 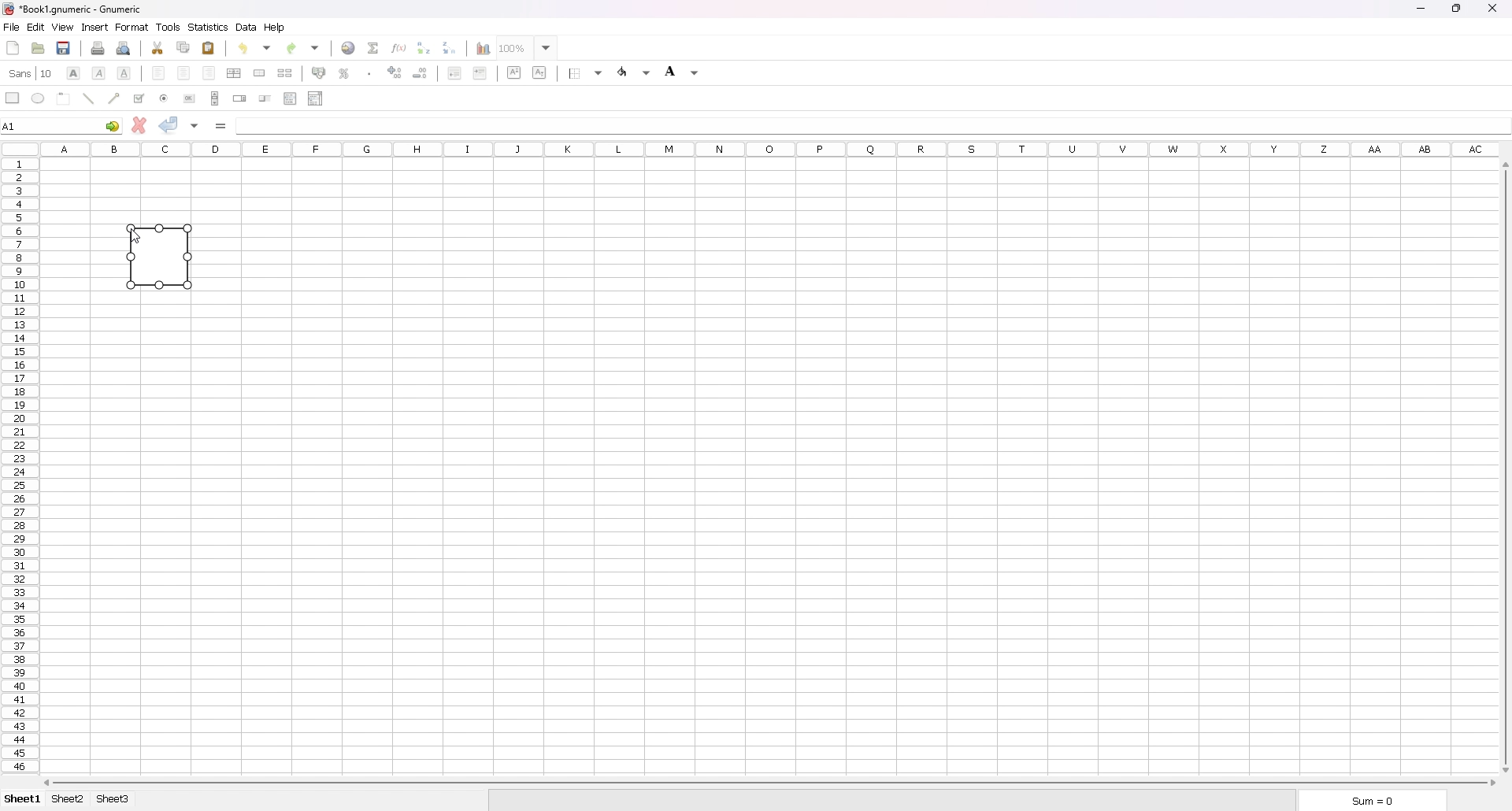 What do you see at coordinates (125, 48) in the screenshot?
I see `print preview` at bounding box center [125, 48].